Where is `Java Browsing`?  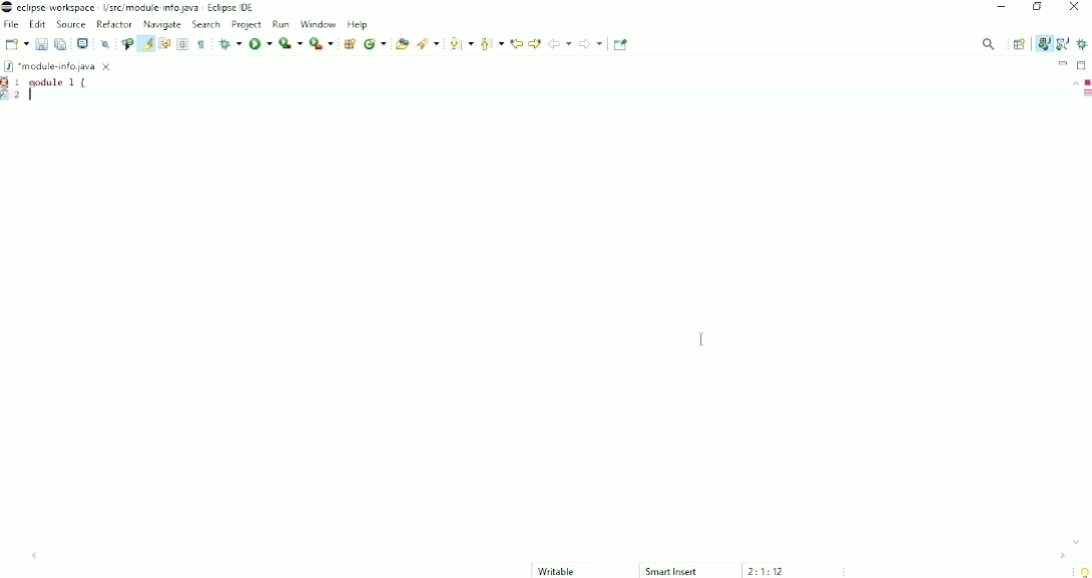 Java Browsing is located at coordinates (1063, 44).